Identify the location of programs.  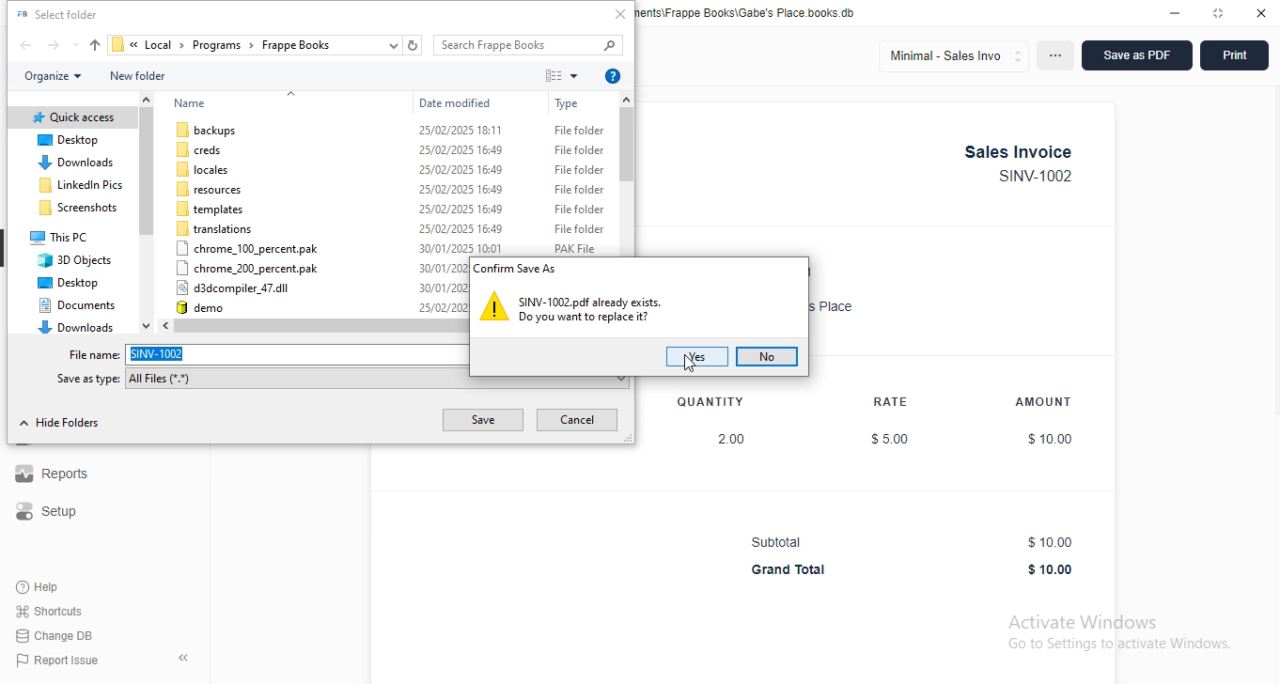
(217, 45).